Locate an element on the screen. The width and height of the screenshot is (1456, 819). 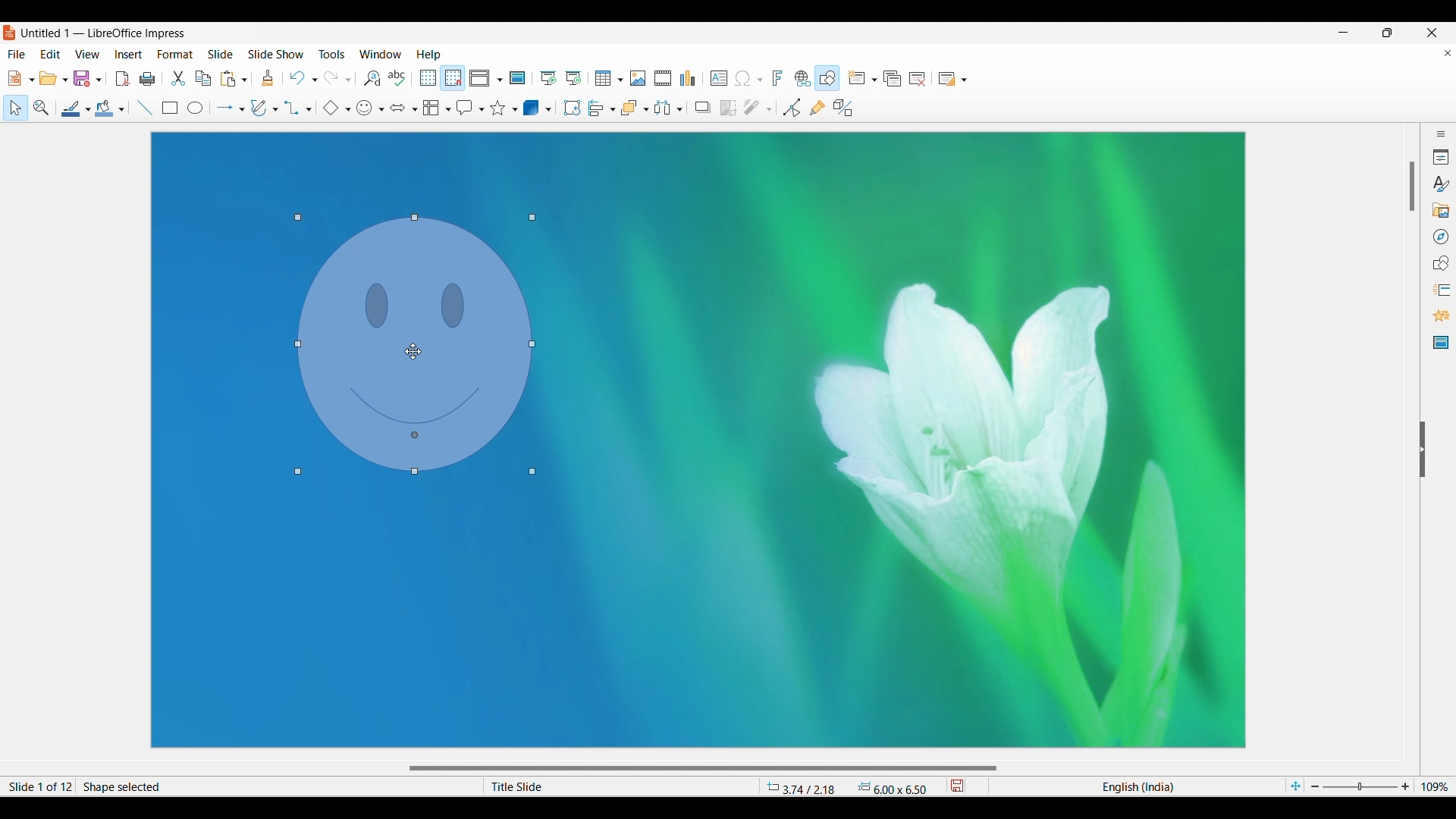
Fit slide to current window is located at coordinates (1295, 786).